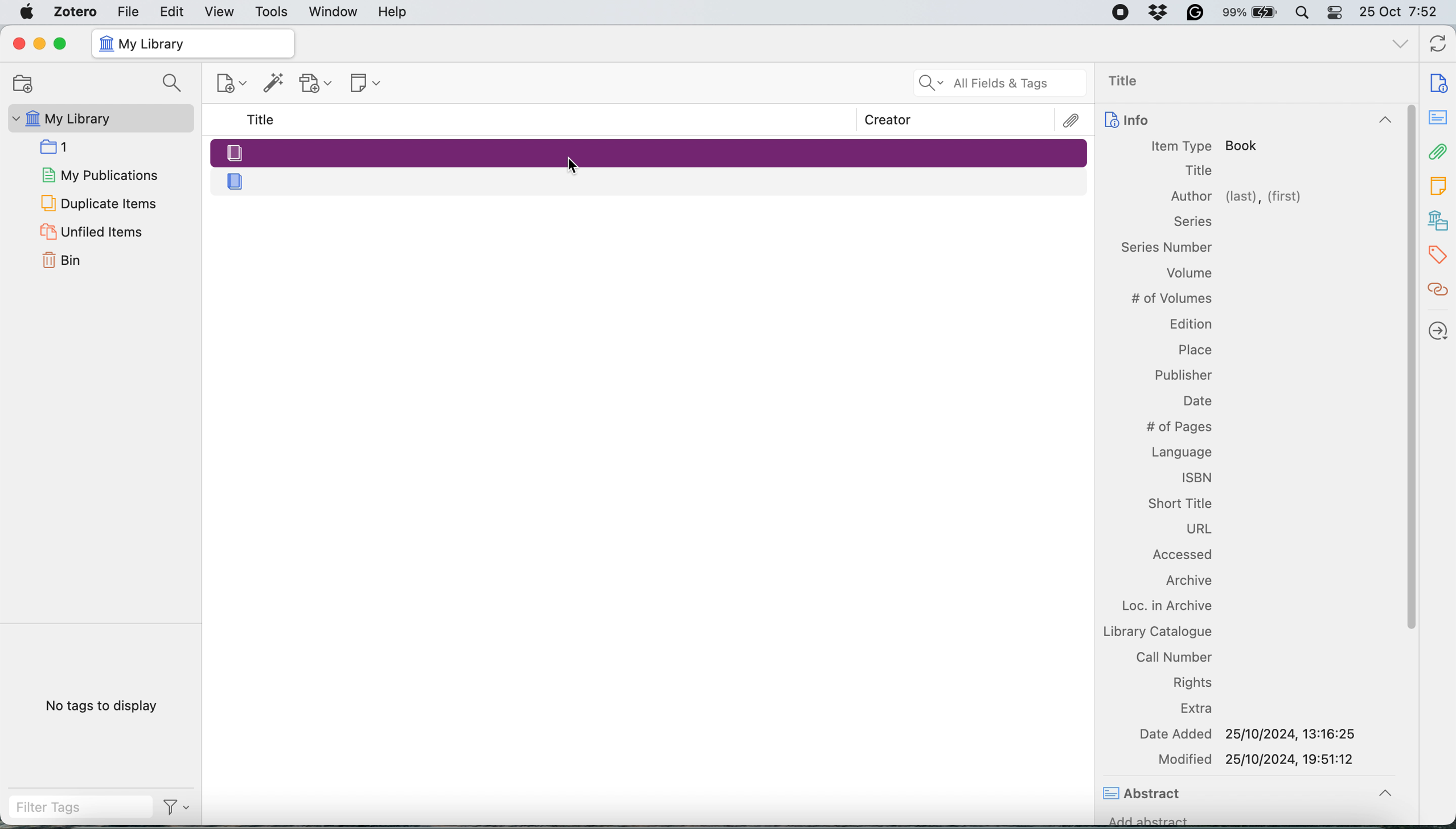 The height and width of the screenshot is (829, 1456). I want to click on Short Title, so click(1179, 502).